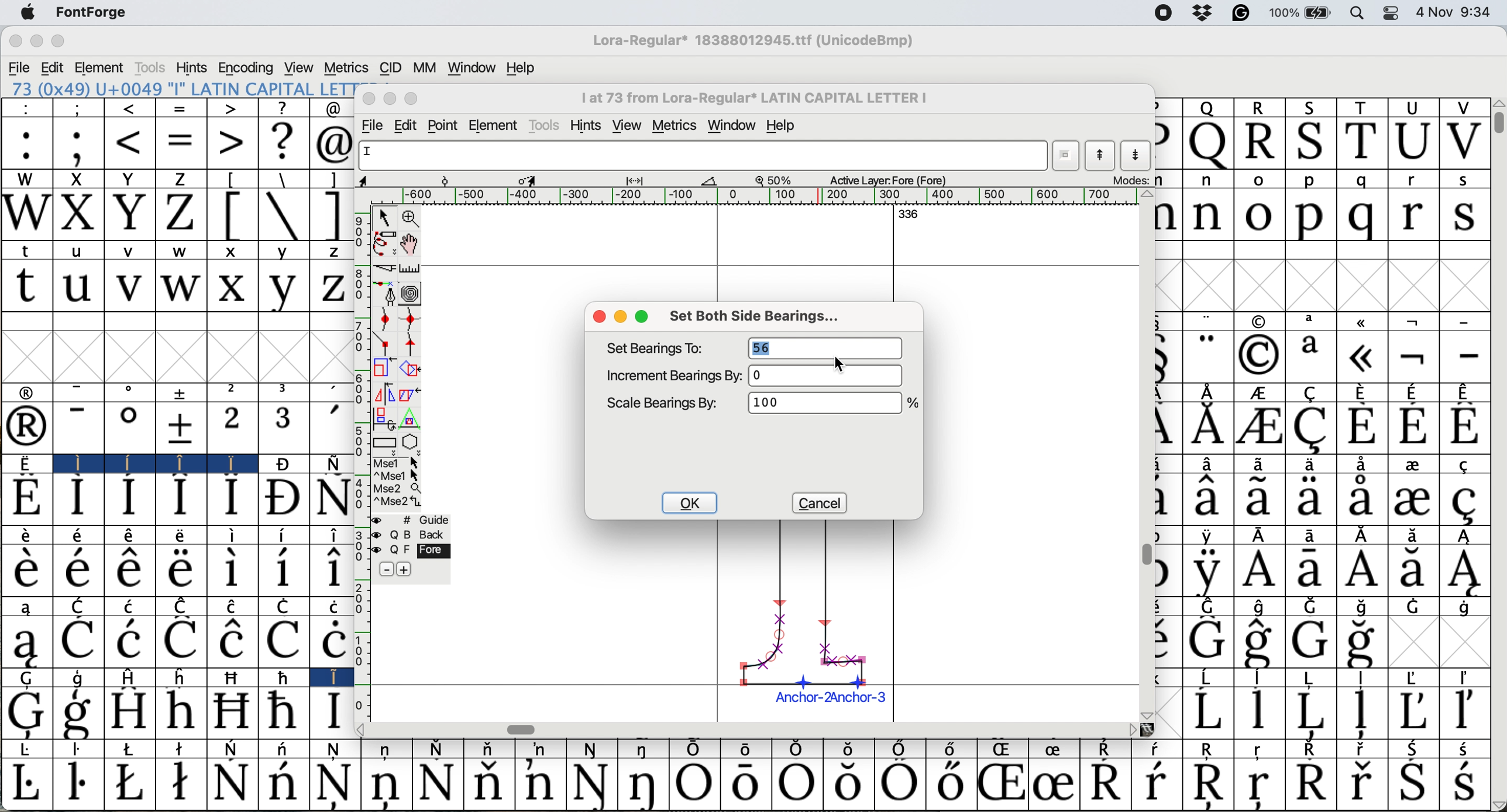  Describe the element at coordinates (180, 427) in the screenshot. I see `Symbol` at that location.